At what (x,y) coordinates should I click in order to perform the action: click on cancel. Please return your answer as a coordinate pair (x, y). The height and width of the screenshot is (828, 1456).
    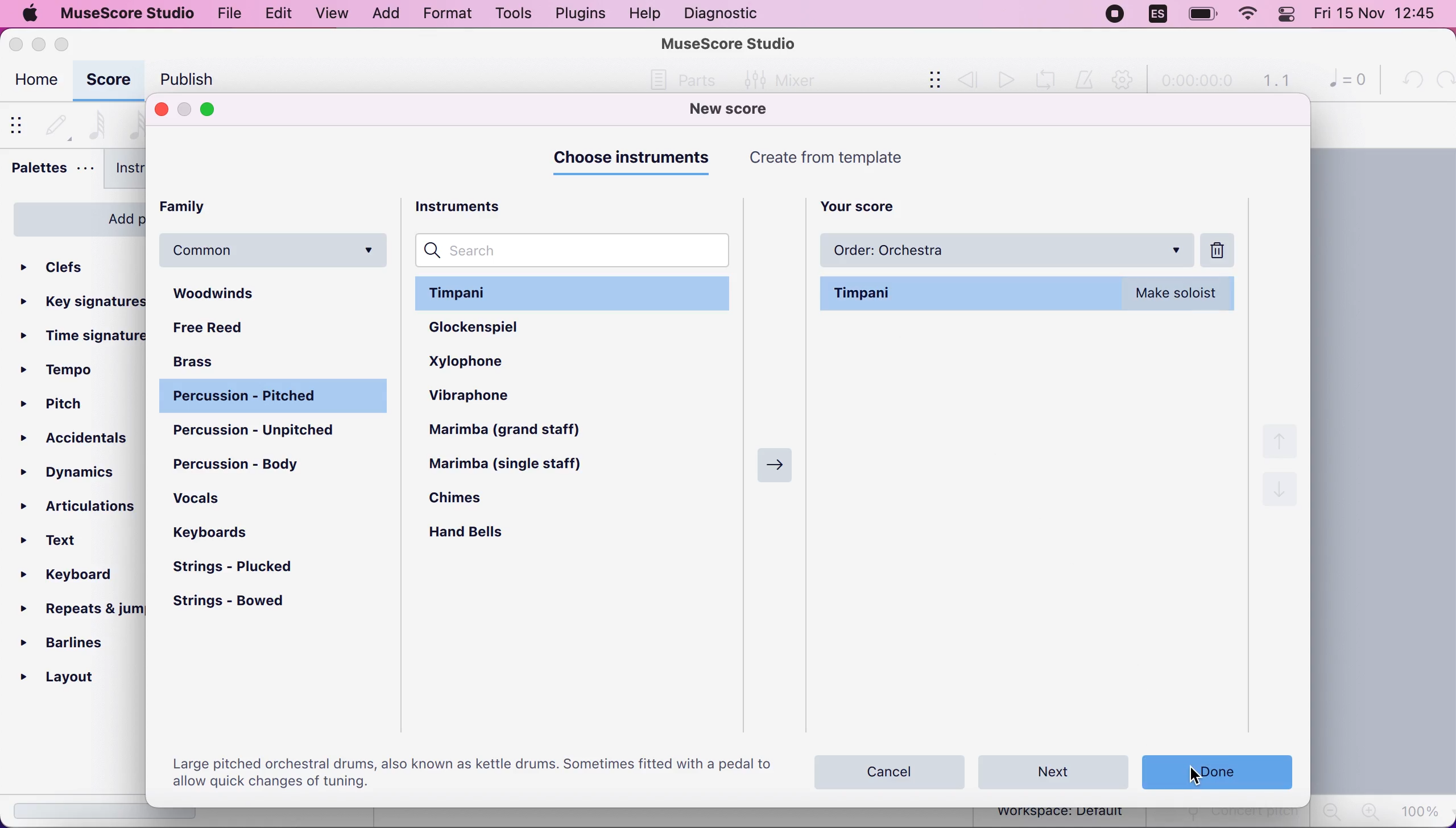
    Looking at the image, I should click on (891, 769).